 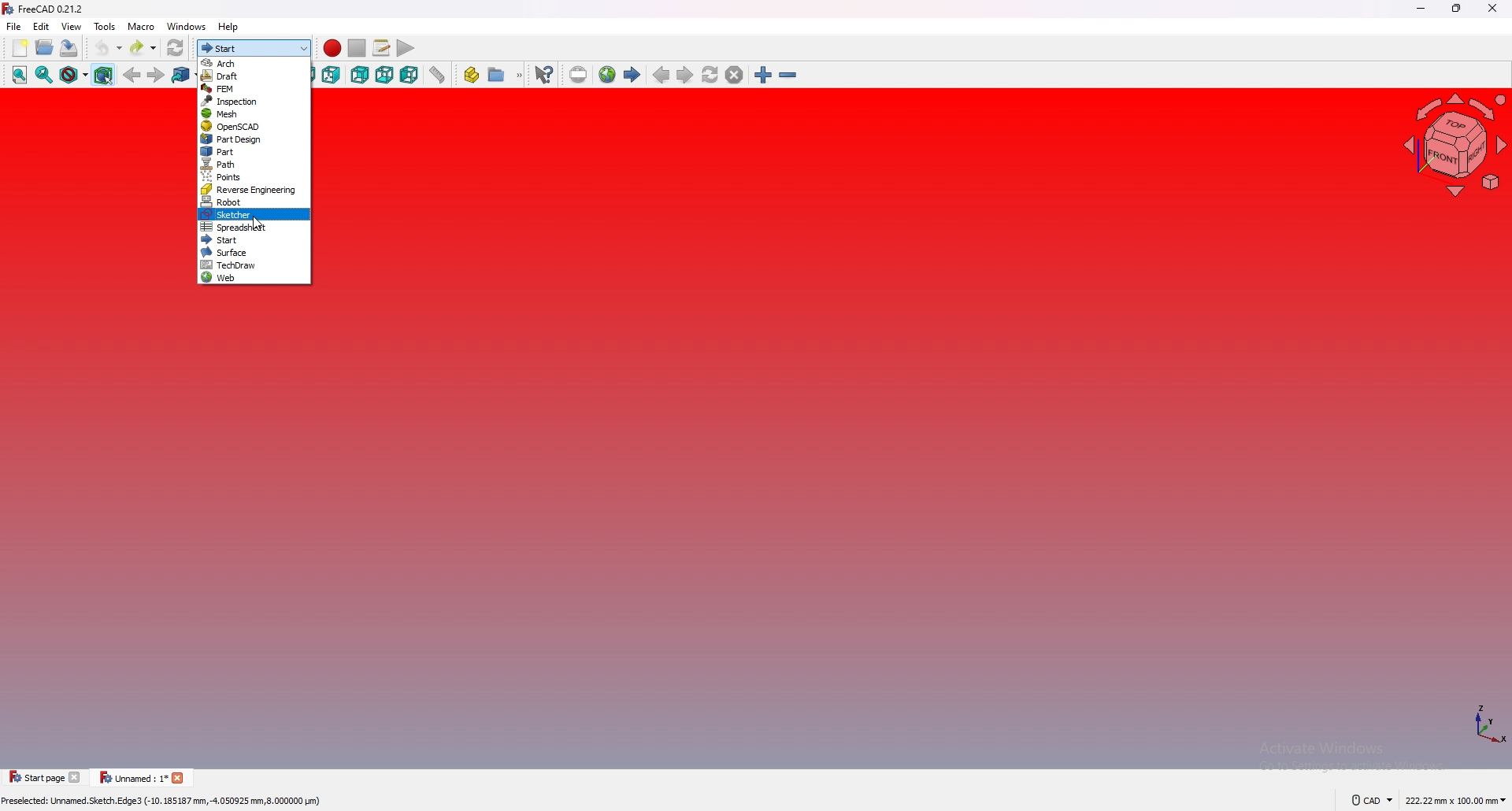 I want to click on web, so click(x=254, y=278).